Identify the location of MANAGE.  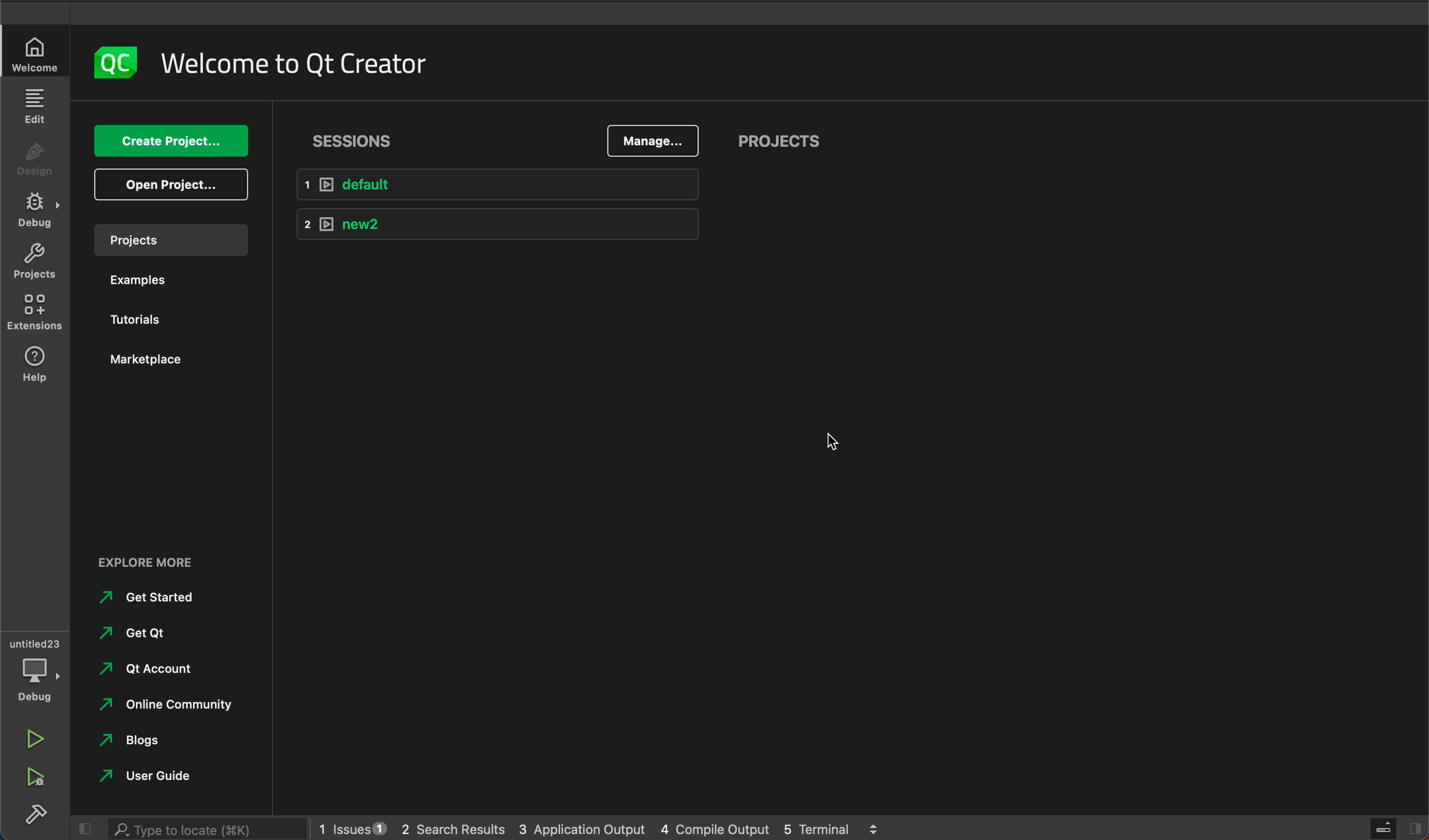
(652, 142).